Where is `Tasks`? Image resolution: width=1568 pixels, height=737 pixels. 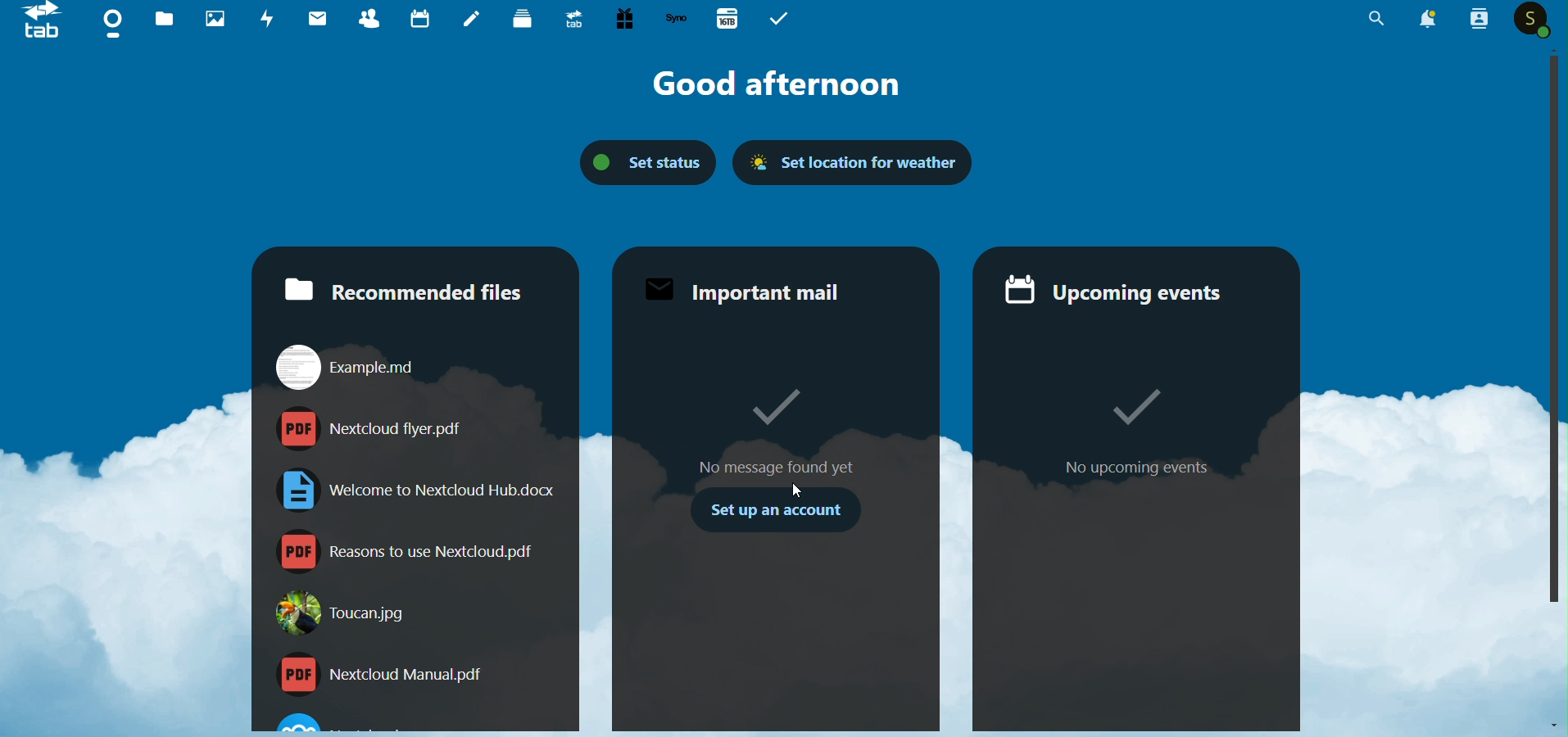 Tasks is located at coordinates (782, 20).